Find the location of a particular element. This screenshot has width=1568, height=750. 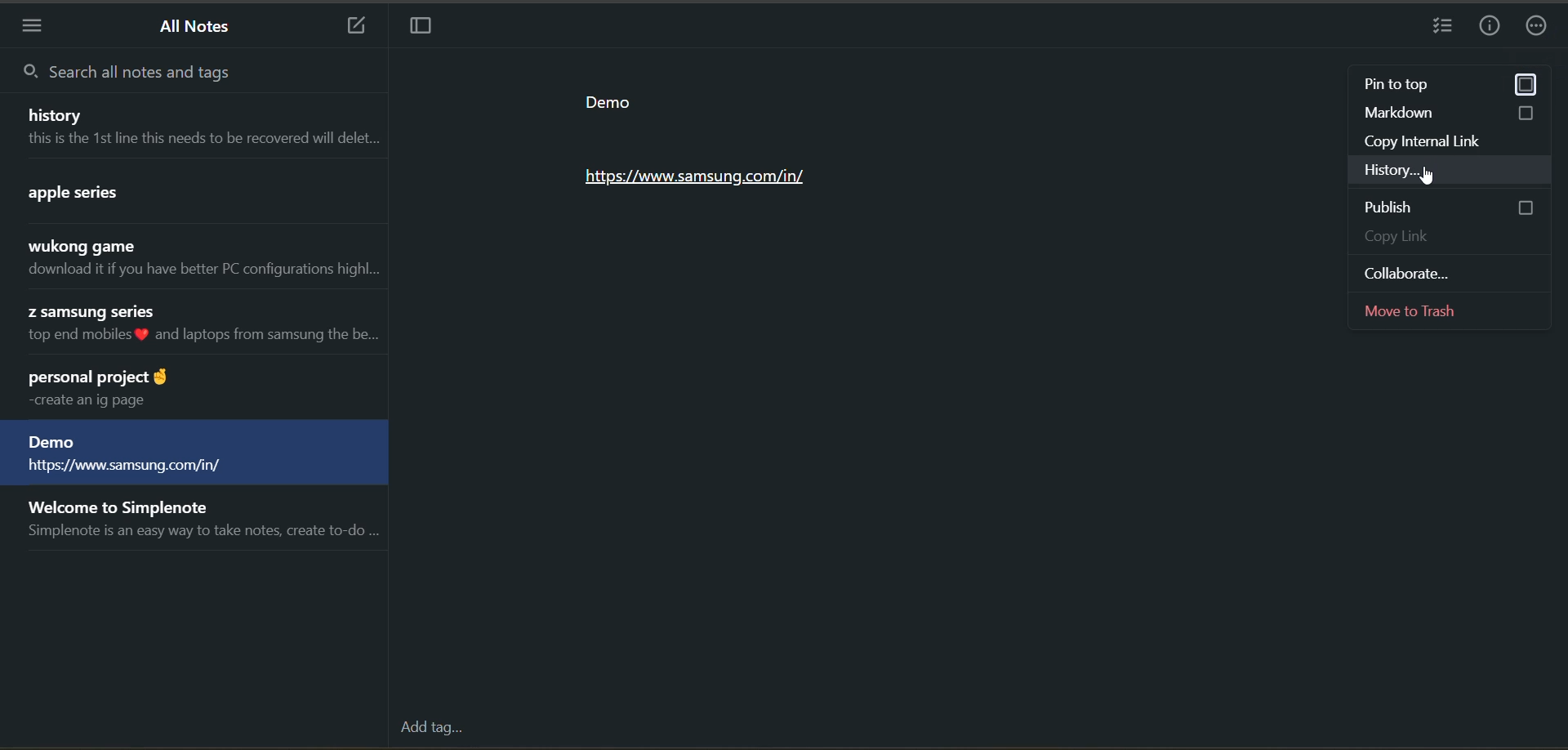

note title and preview is located at coordinates (194, 454).